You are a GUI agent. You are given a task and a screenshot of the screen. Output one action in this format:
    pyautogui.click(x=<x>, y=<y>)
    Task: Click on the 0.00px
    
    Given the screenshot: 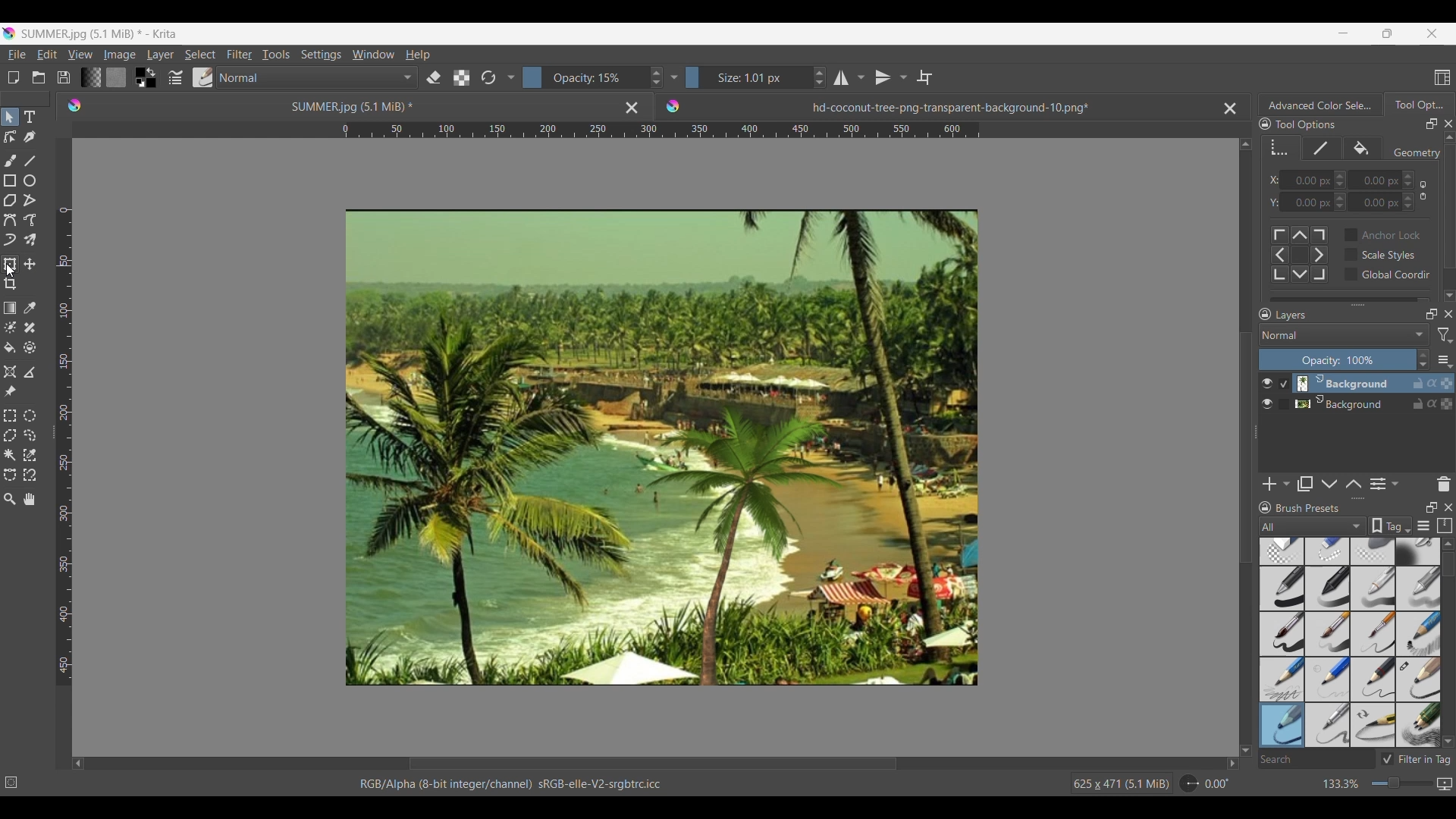 What is the action you would take?
    pyautogui.click(x=1382, y=203)
    